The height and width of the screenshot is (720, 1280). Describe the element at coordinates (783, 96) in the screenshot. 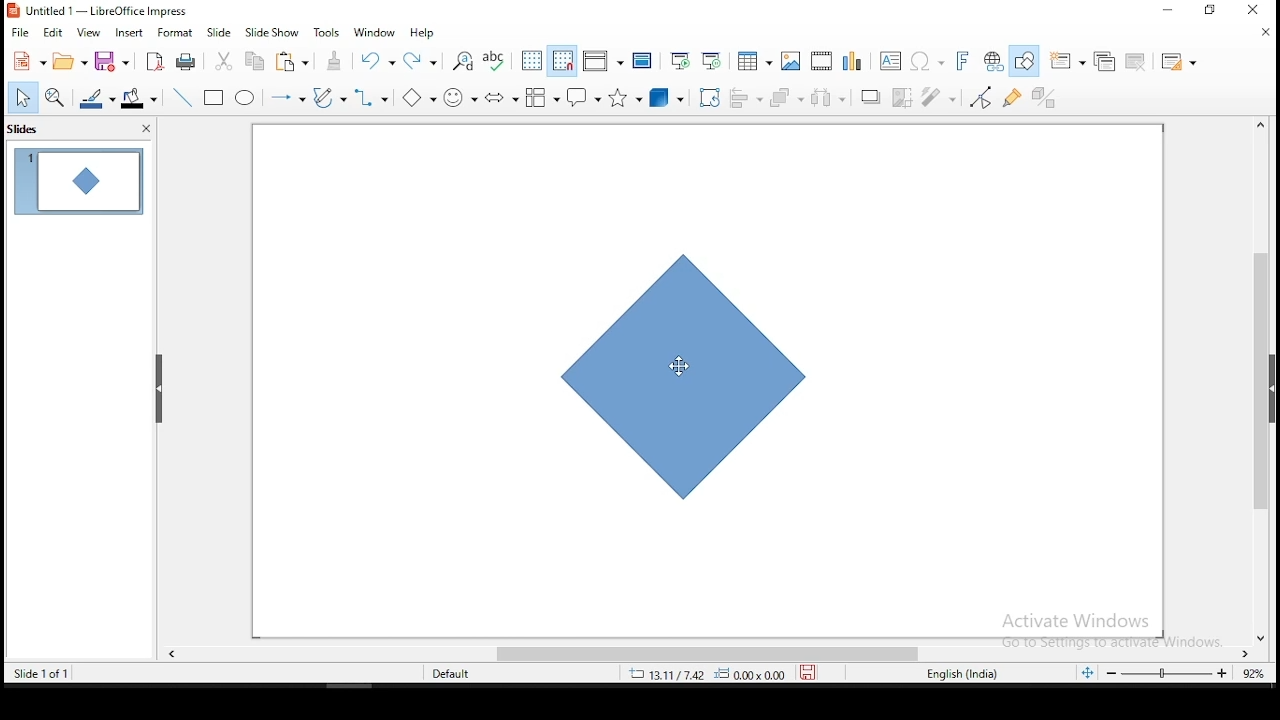

I see `arrange` at that location.